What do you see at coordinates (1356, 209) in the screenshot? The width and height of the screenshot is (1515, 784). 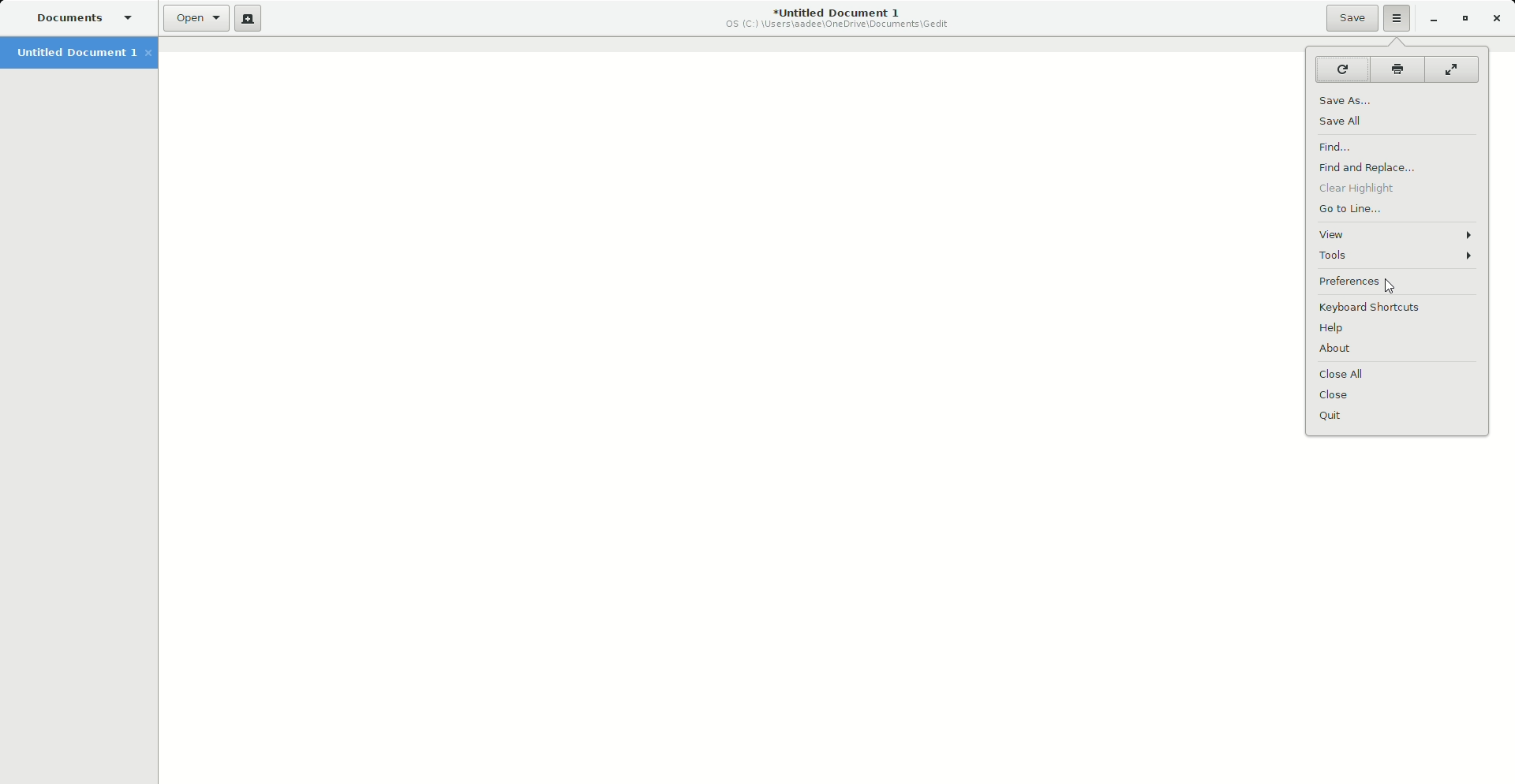 I see `Go to line` at bounding box center [1356, 209].